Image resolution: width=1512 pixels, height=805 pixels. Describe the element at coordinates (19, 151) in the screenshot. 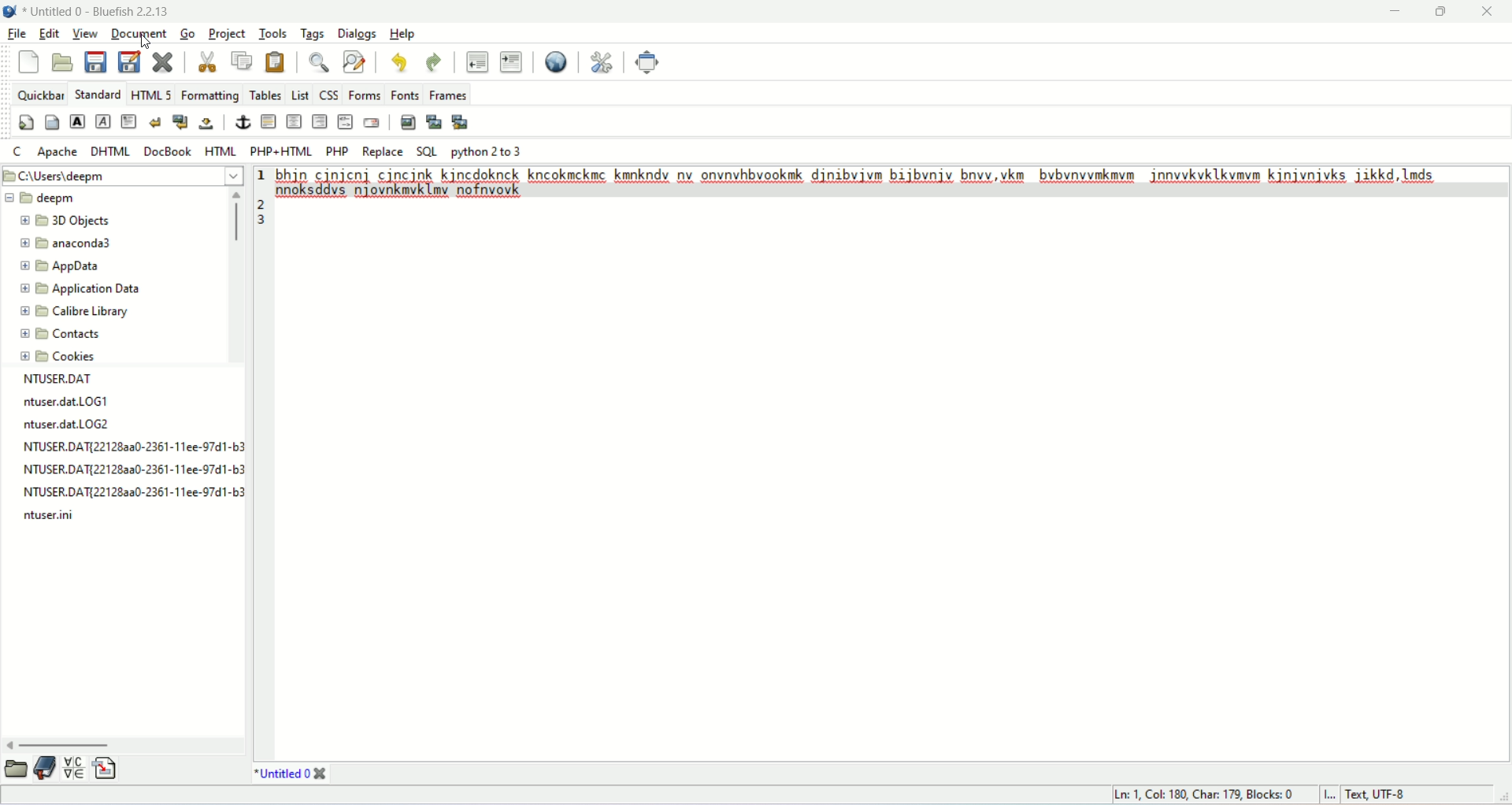

I see `C` at that location.